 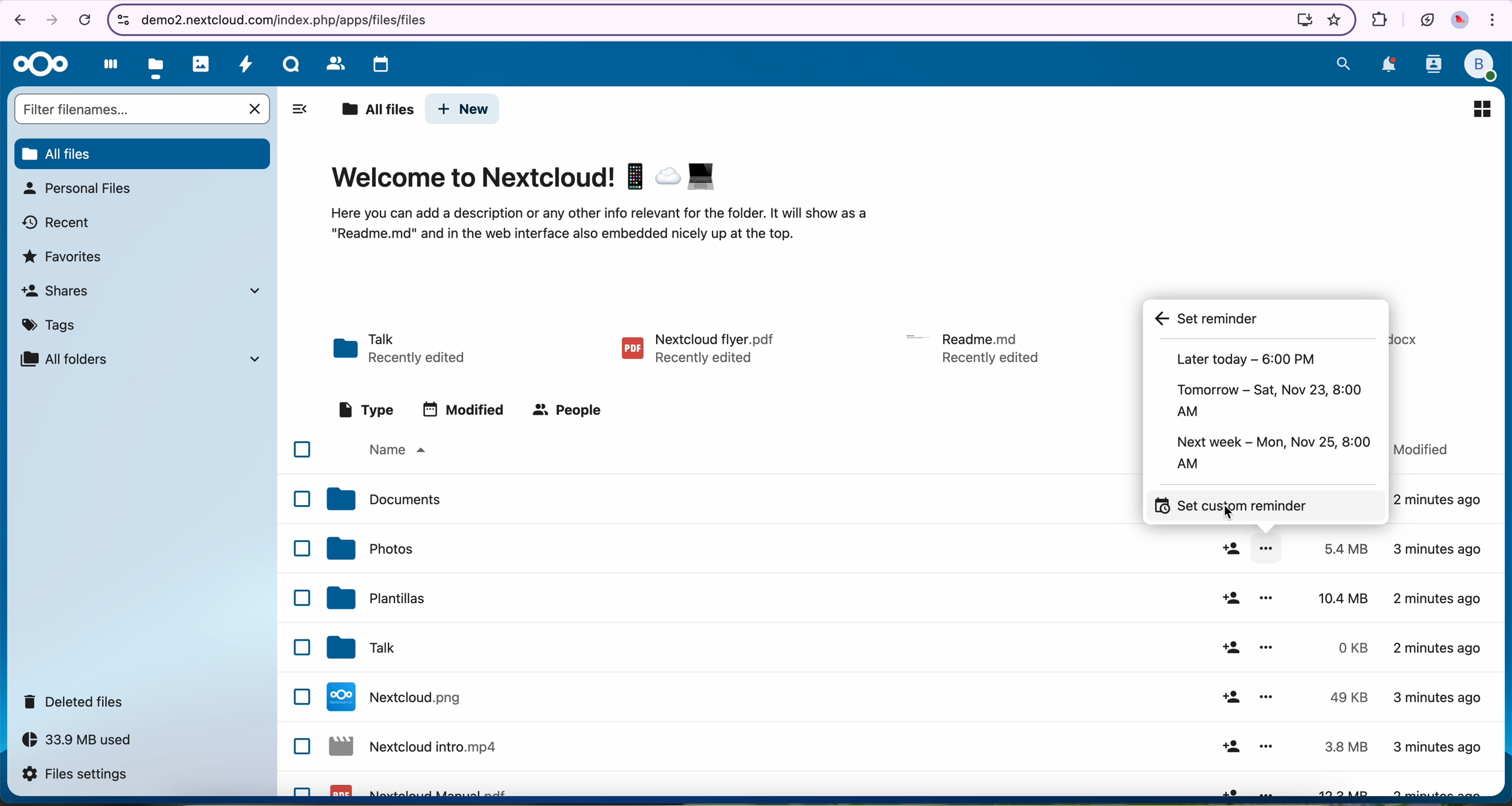 What do you see at coordinates (1440, 597) in the screenshot?
I see `2 minutes ago` at bounding box center [1440, 597].